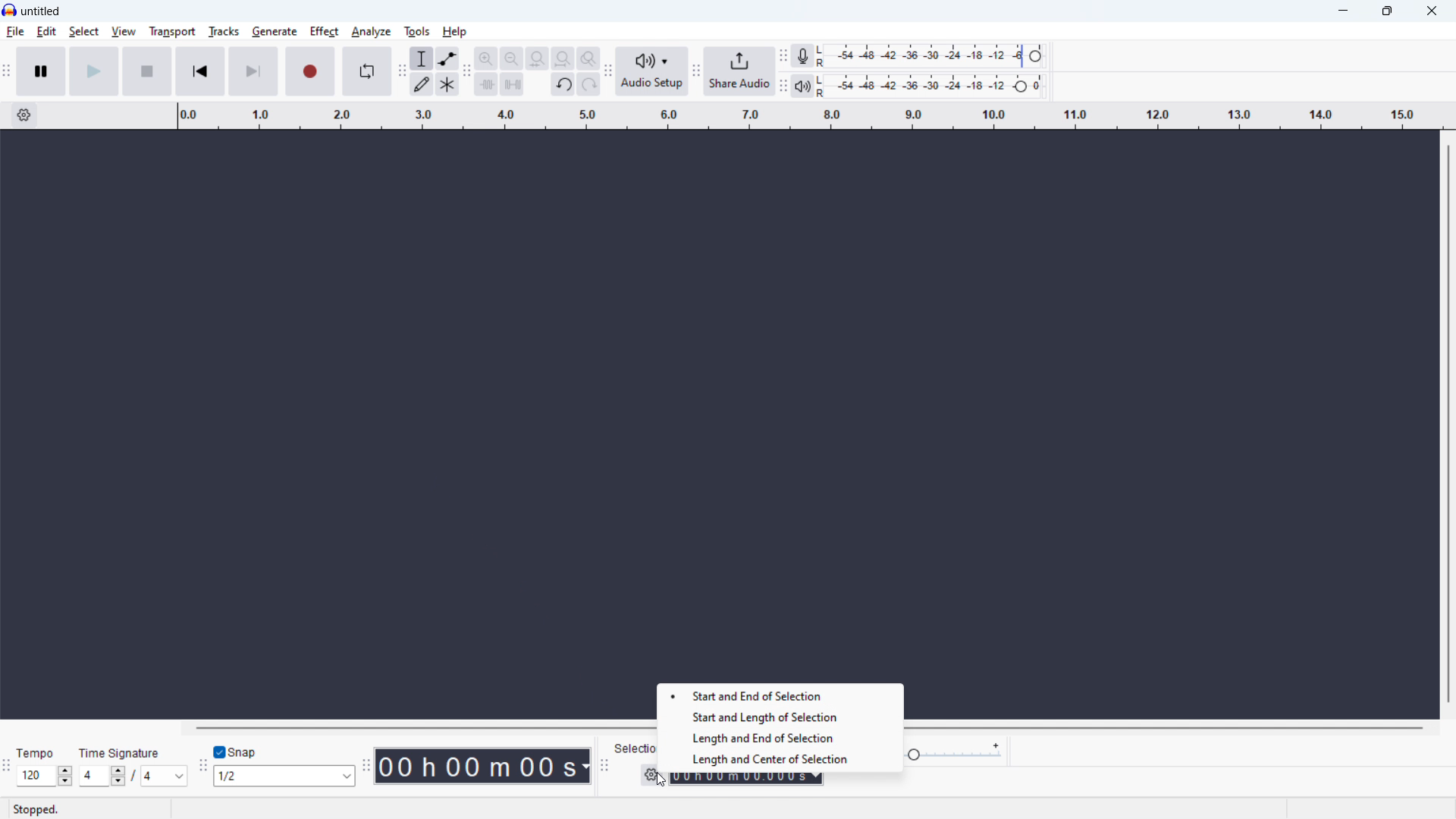 The image size is (1456, 819). I want to click on pause, so click(42, 71).